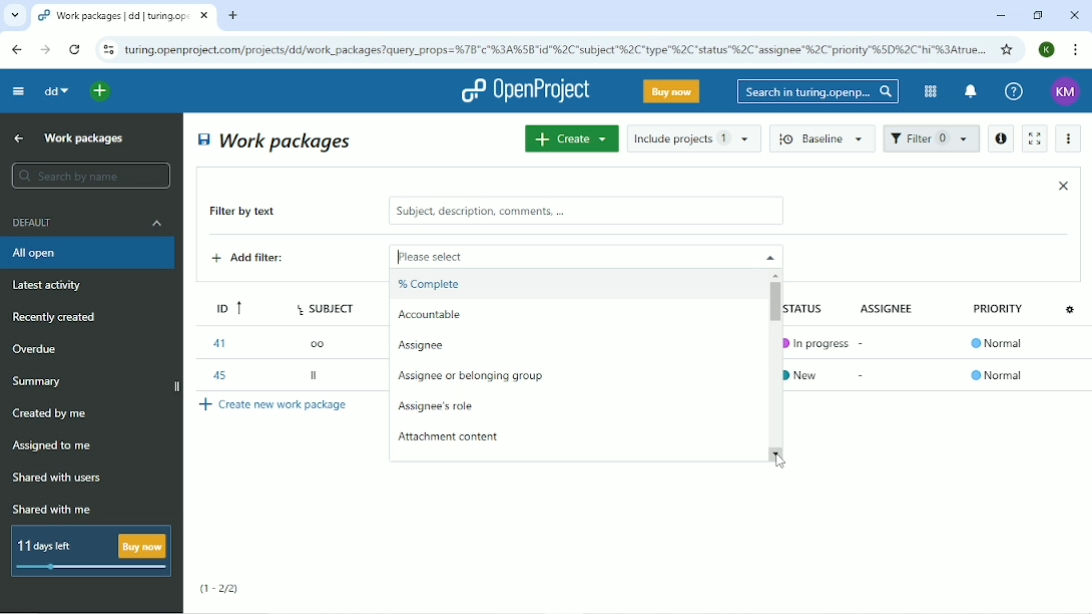 The width and height of the screenshot is (1092, 614). What do you see at coordinates (1070, 139) in the screenshot?
I see `More actions` at bounding box center [1070, 139].